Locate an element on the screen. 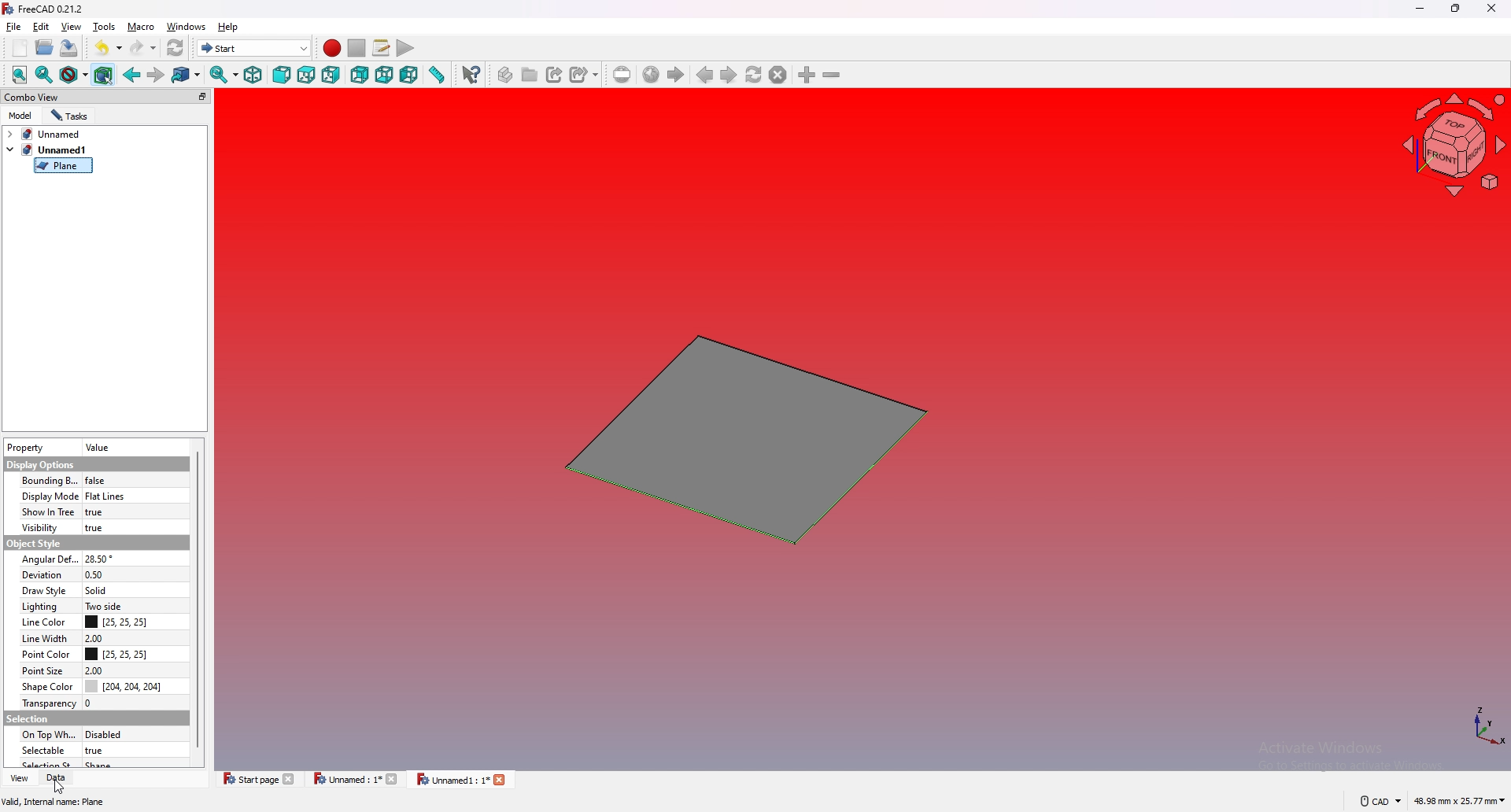 Image resolution: width=1511 pixels, height=812 pixels. angular deflection is located at coordinates (46, 558).